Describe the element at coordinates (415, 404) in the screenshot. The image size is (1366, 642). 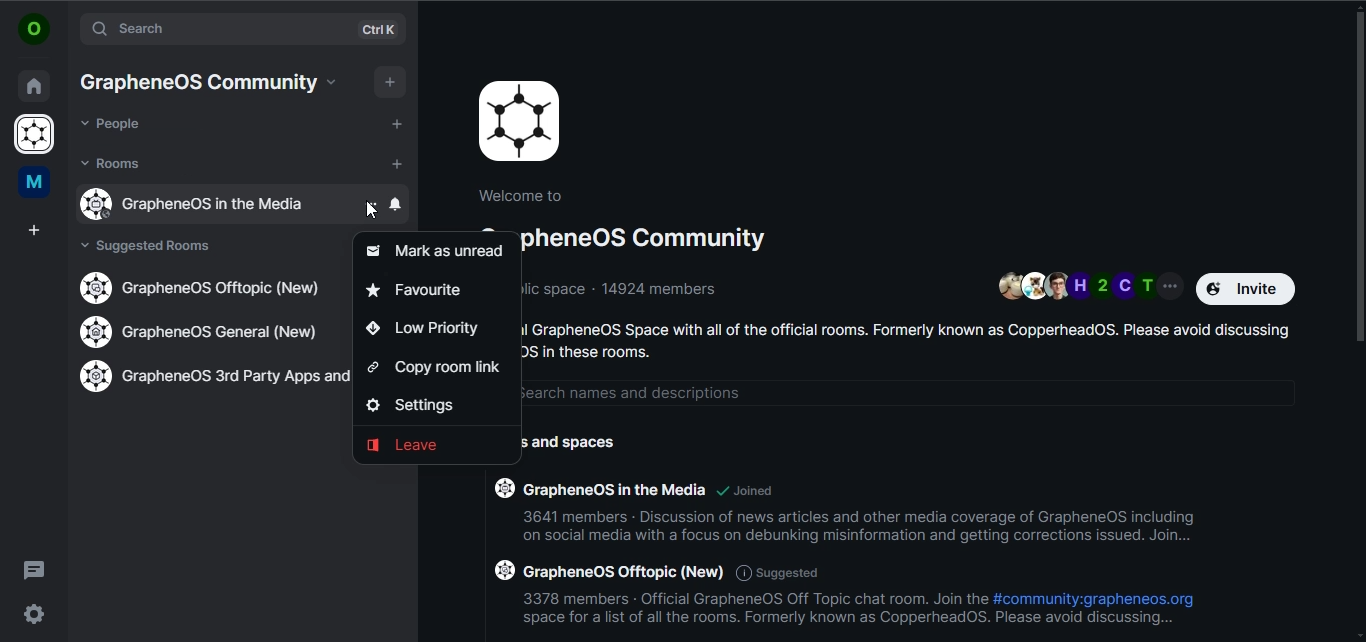
I see `settings` at that location.